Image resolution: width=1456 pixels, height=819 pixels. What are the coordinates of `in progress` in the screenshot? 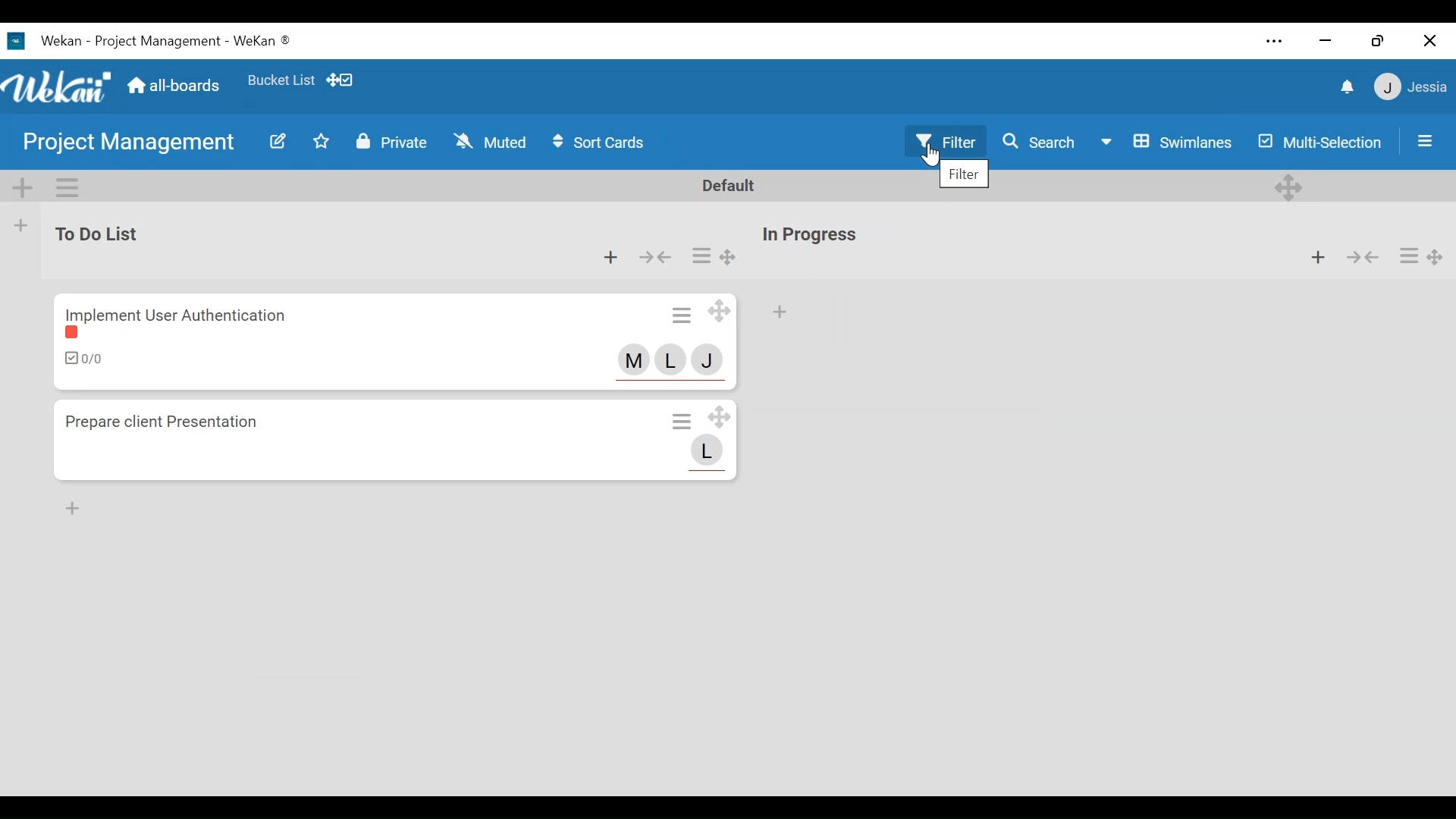 It's located at (819, 232).